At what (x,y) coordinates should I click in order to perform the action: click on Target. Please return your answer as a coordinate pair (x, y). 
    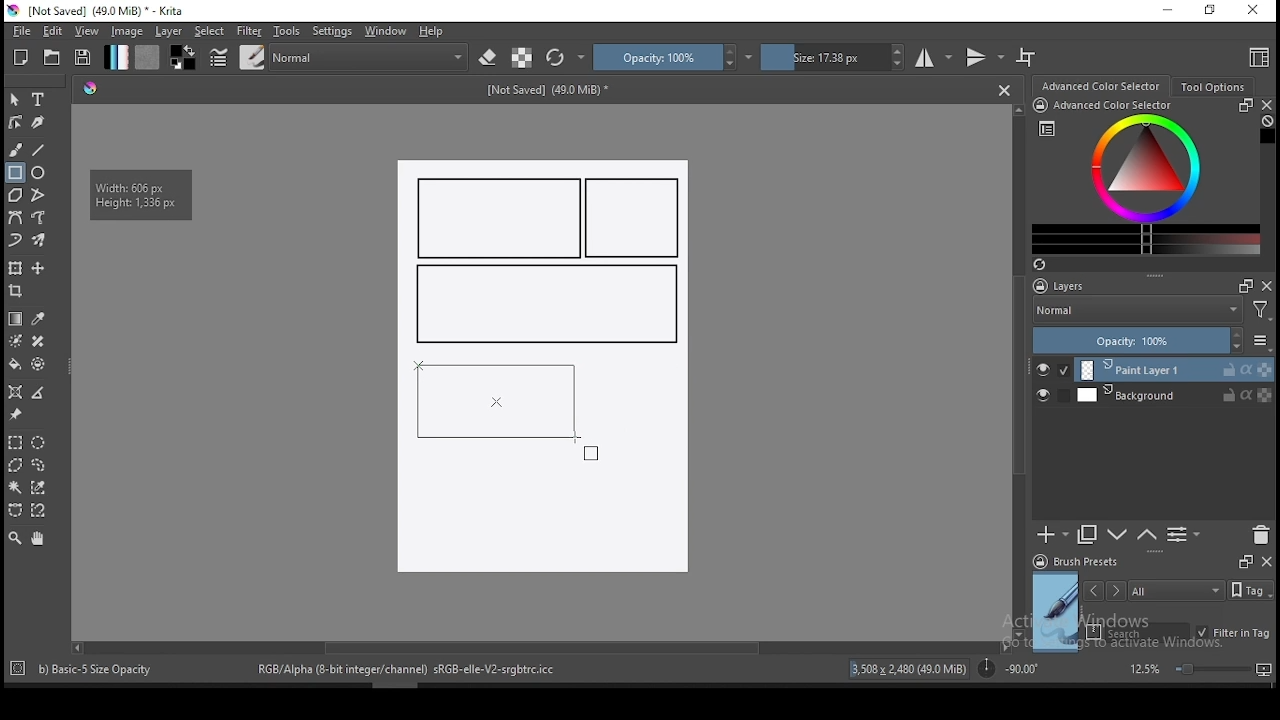
    Looking at the image, I should click on (19, 669).